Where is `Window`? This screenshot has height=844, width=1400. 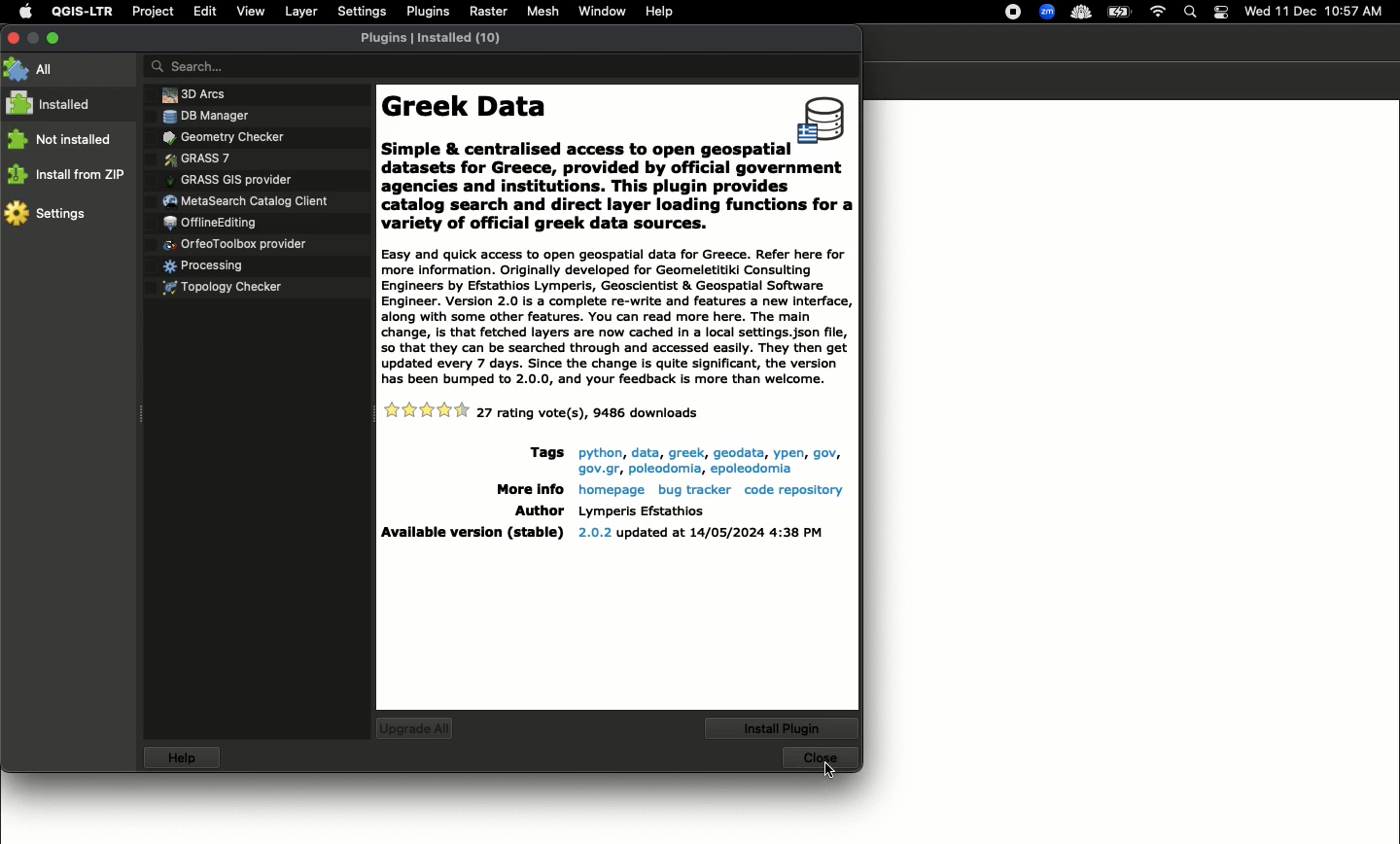
Window is located at coordinates (601, 11).